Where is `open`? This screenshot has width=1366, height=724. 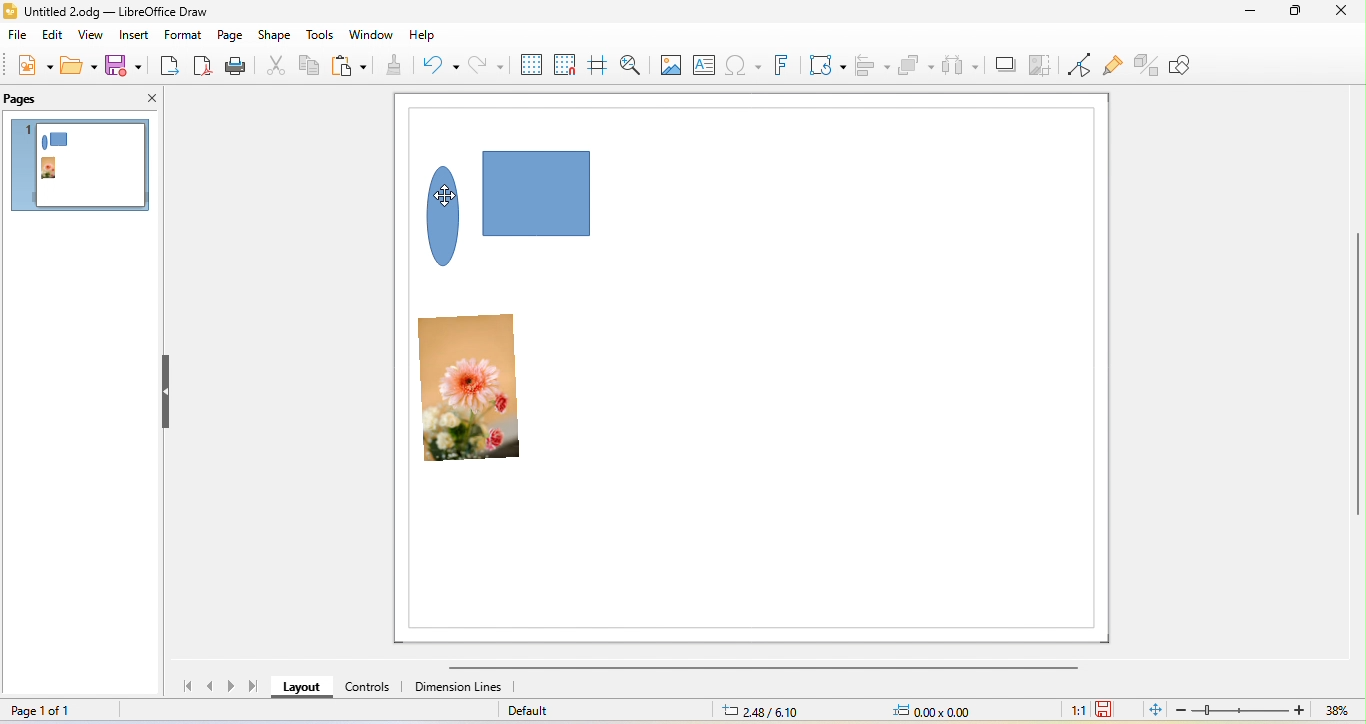 open is located at coordinates (79, 68).